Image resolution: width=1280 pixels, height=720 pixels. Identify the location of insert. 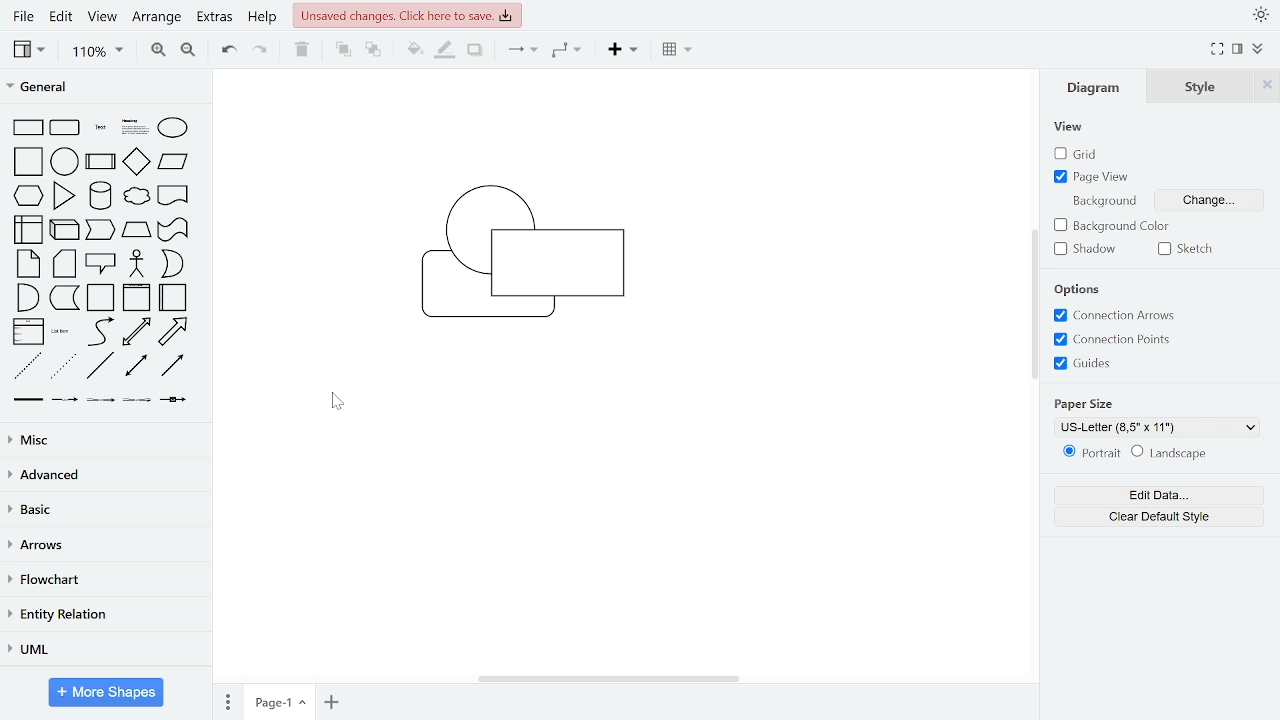
(621, 51).